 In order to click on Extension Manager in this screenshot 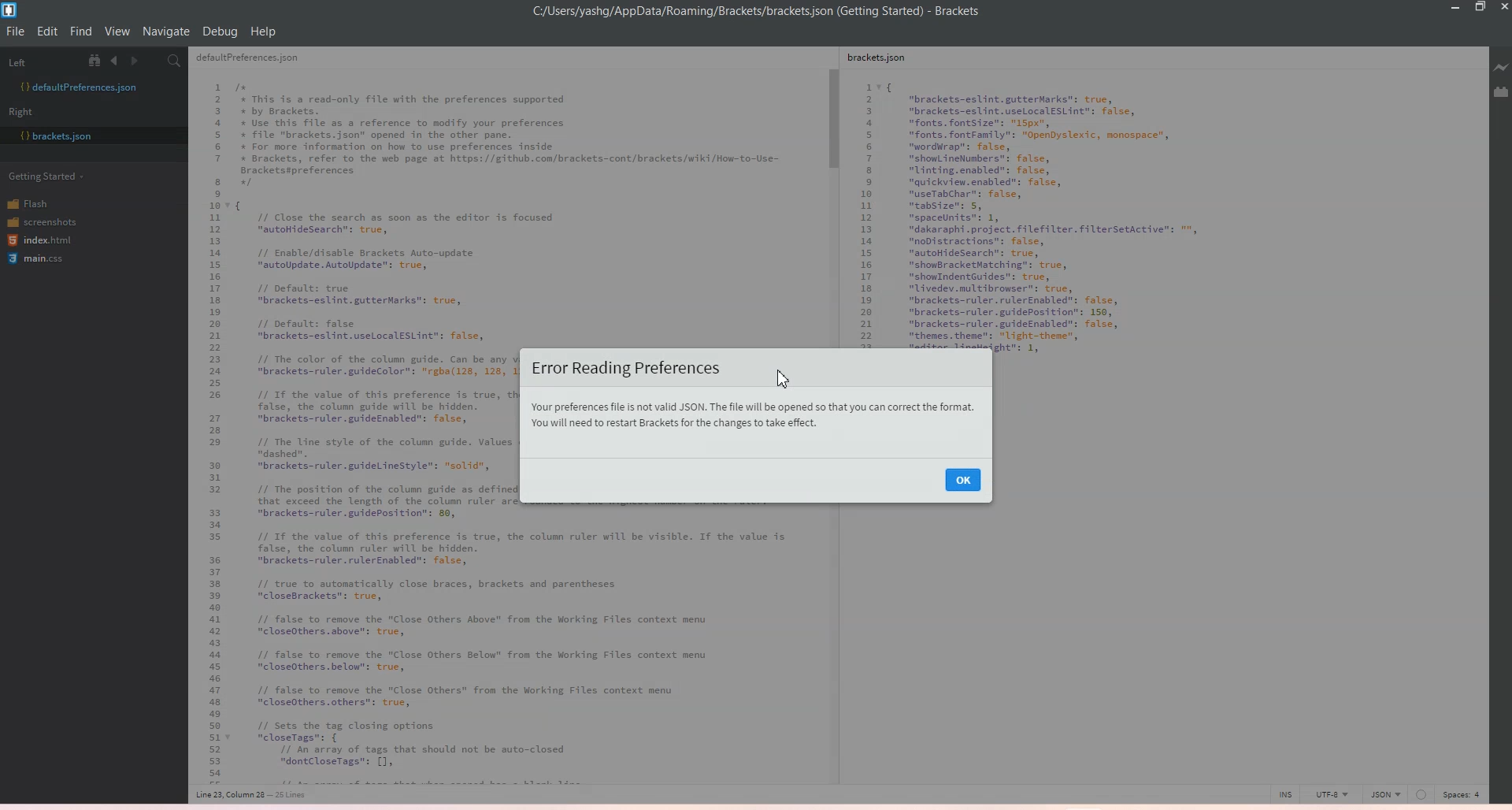, I will do `click(1501, 92)`.